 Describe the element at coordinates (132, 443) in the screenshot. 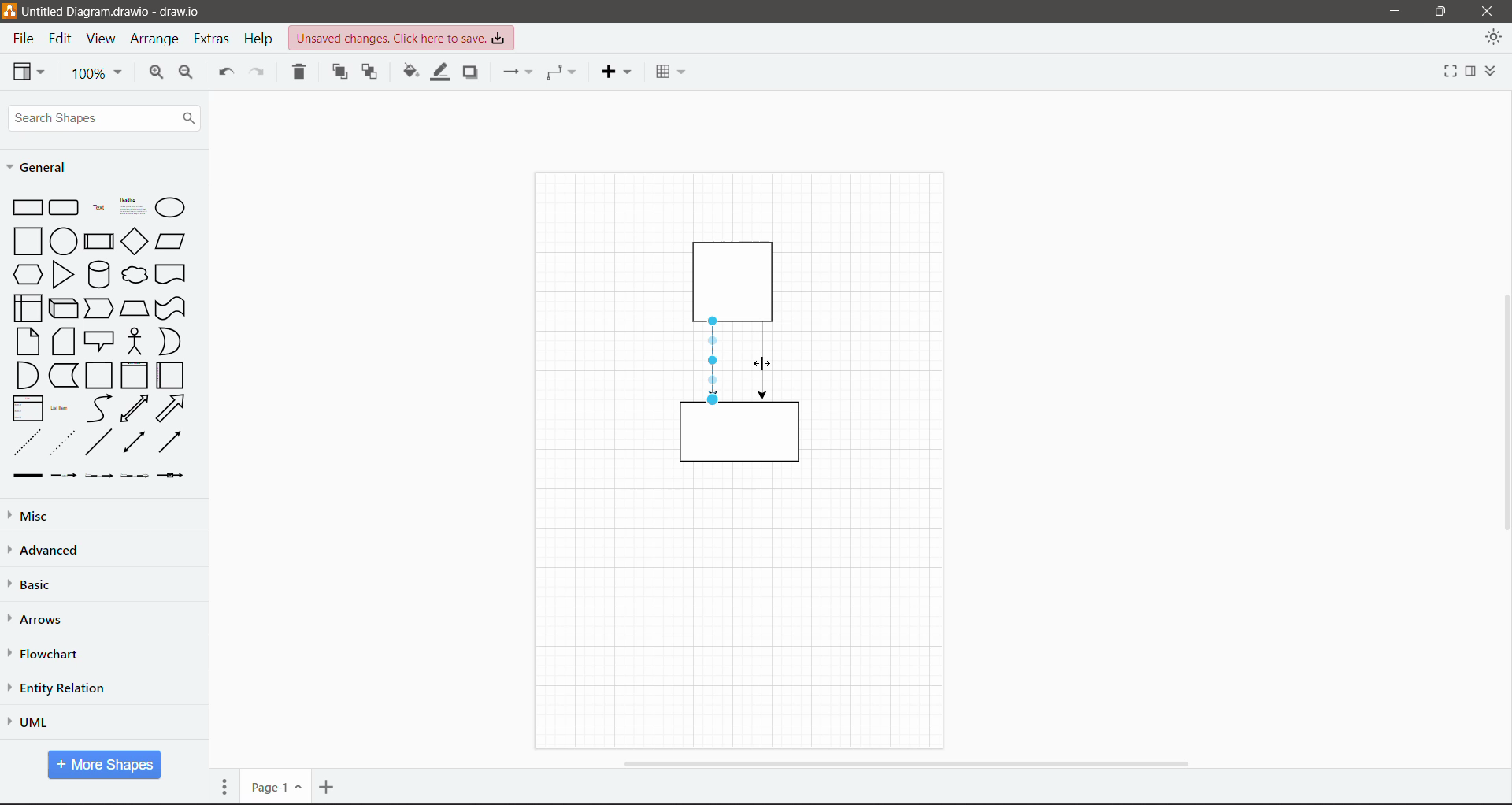

I see `bidirectional connector` at that location.